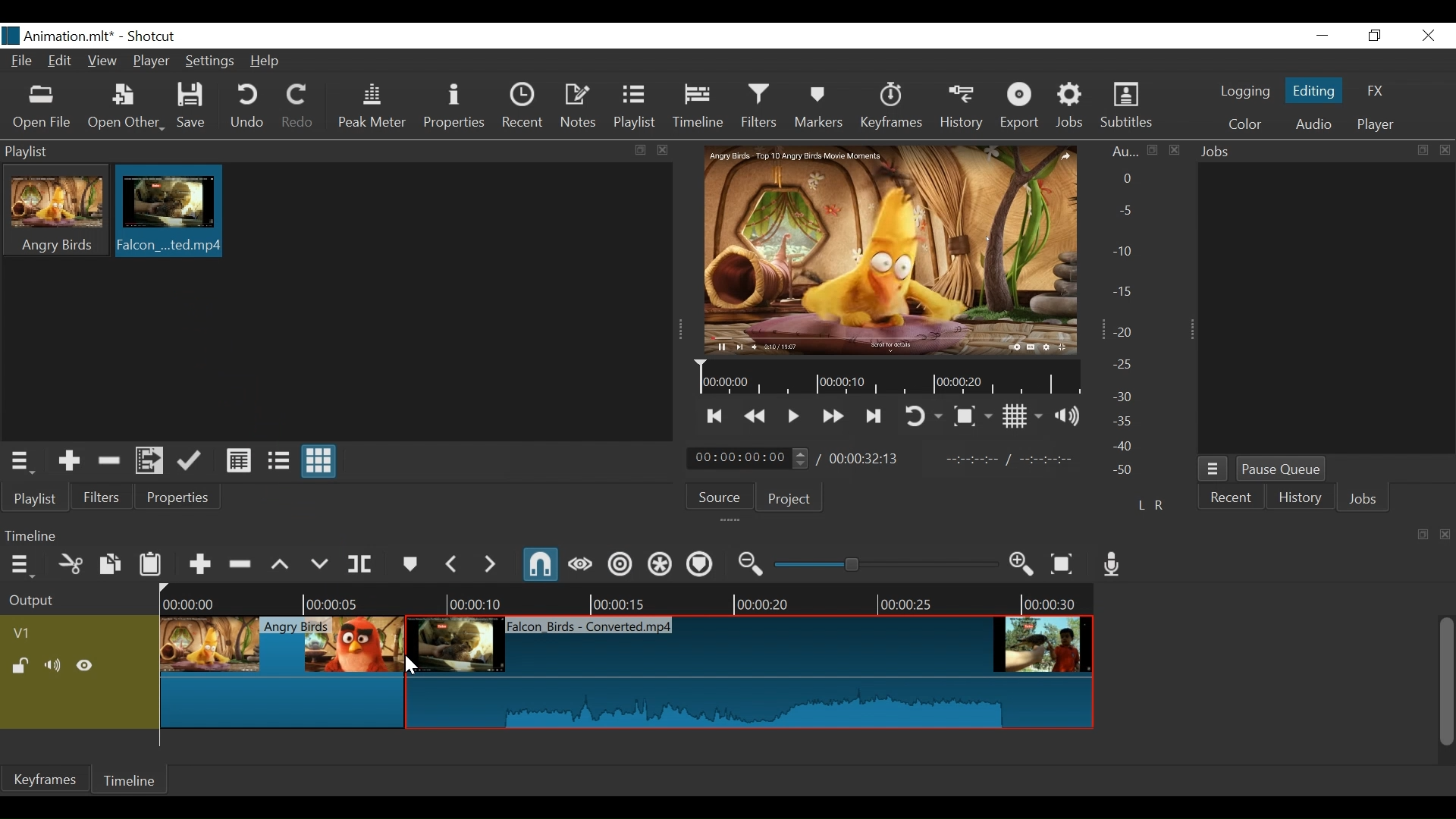 The height and width of the screenshot is (819, 1456). What do you see at coordinates (621, 565) in the screenshot?
I see `Ripple ` at bounding box center [621, 565].